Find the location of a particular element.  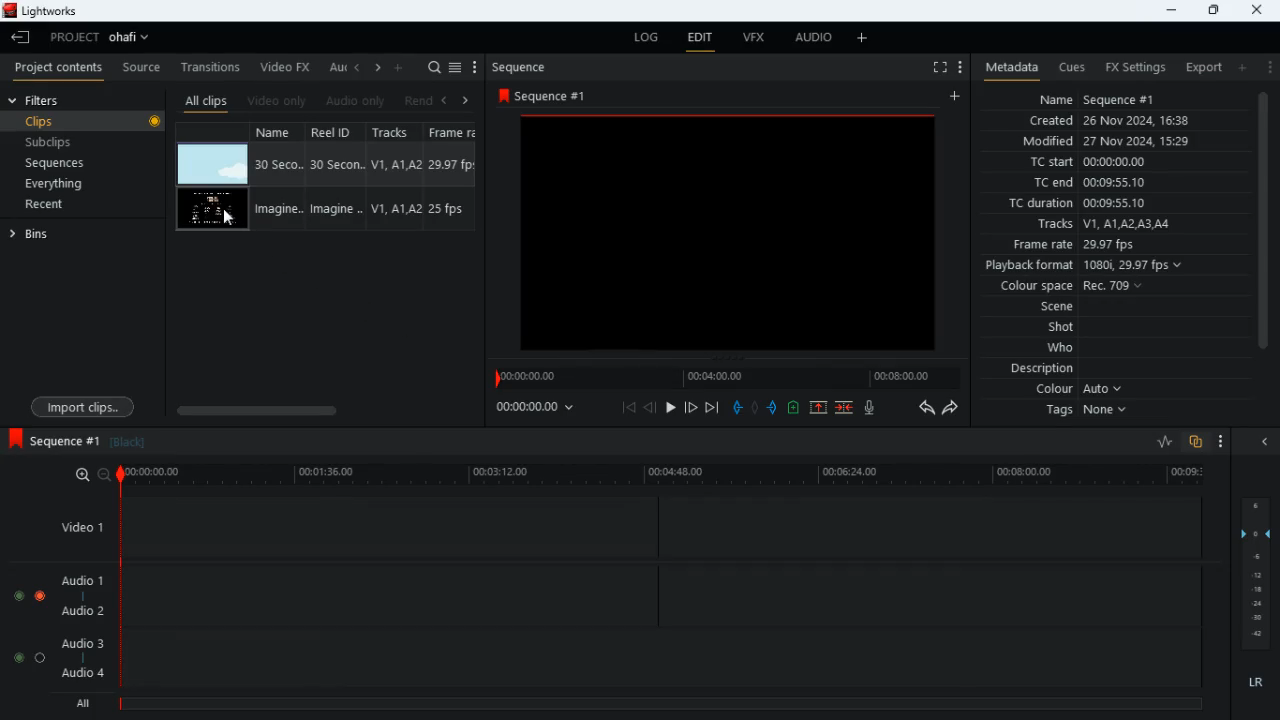

maximize is located at coordinates (1213, 10).